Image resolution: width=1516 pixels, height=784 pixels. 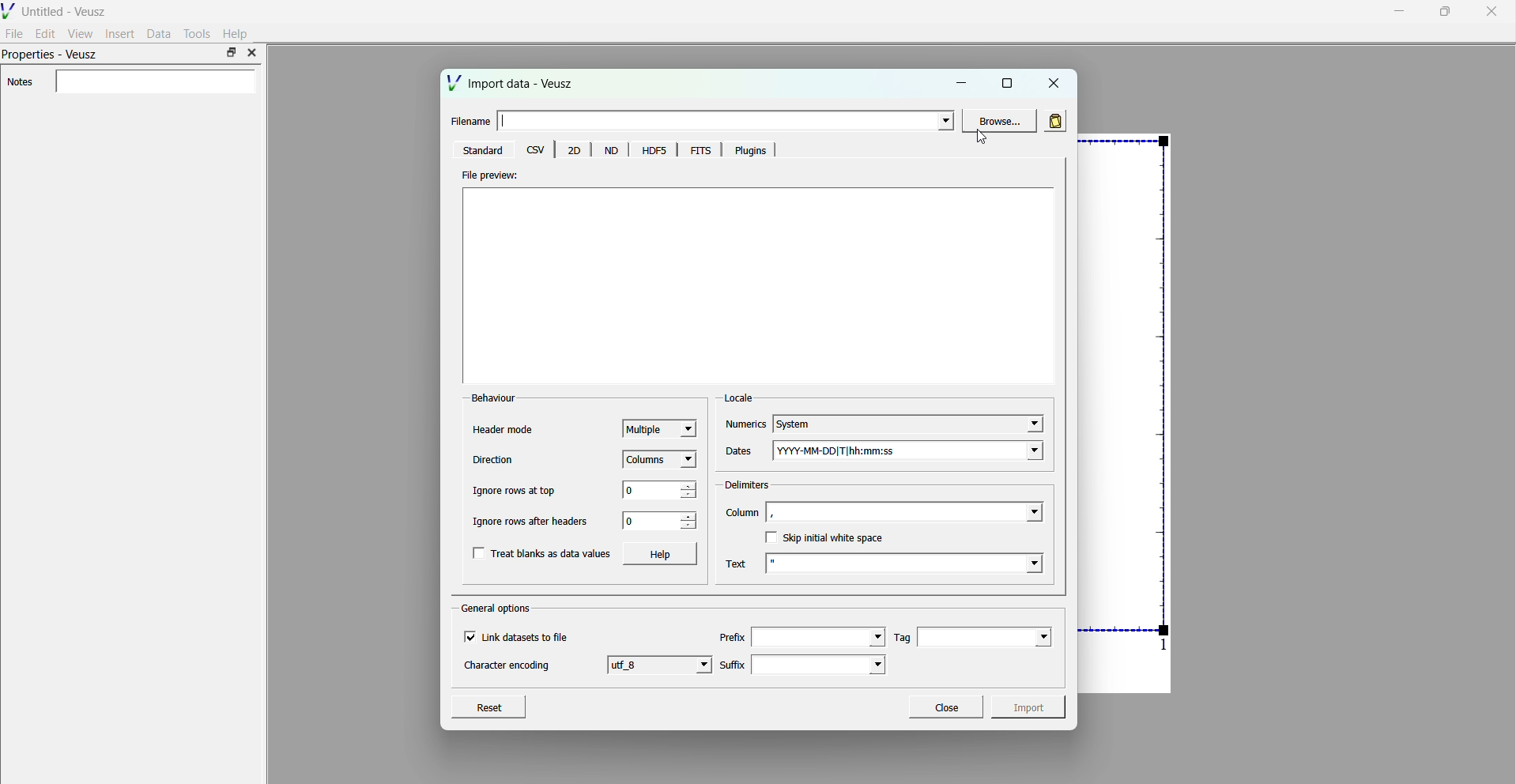 What do you see at coordinates (701, 151) in the screenshot?
I see `FITS` at bounding box center [701, 151].